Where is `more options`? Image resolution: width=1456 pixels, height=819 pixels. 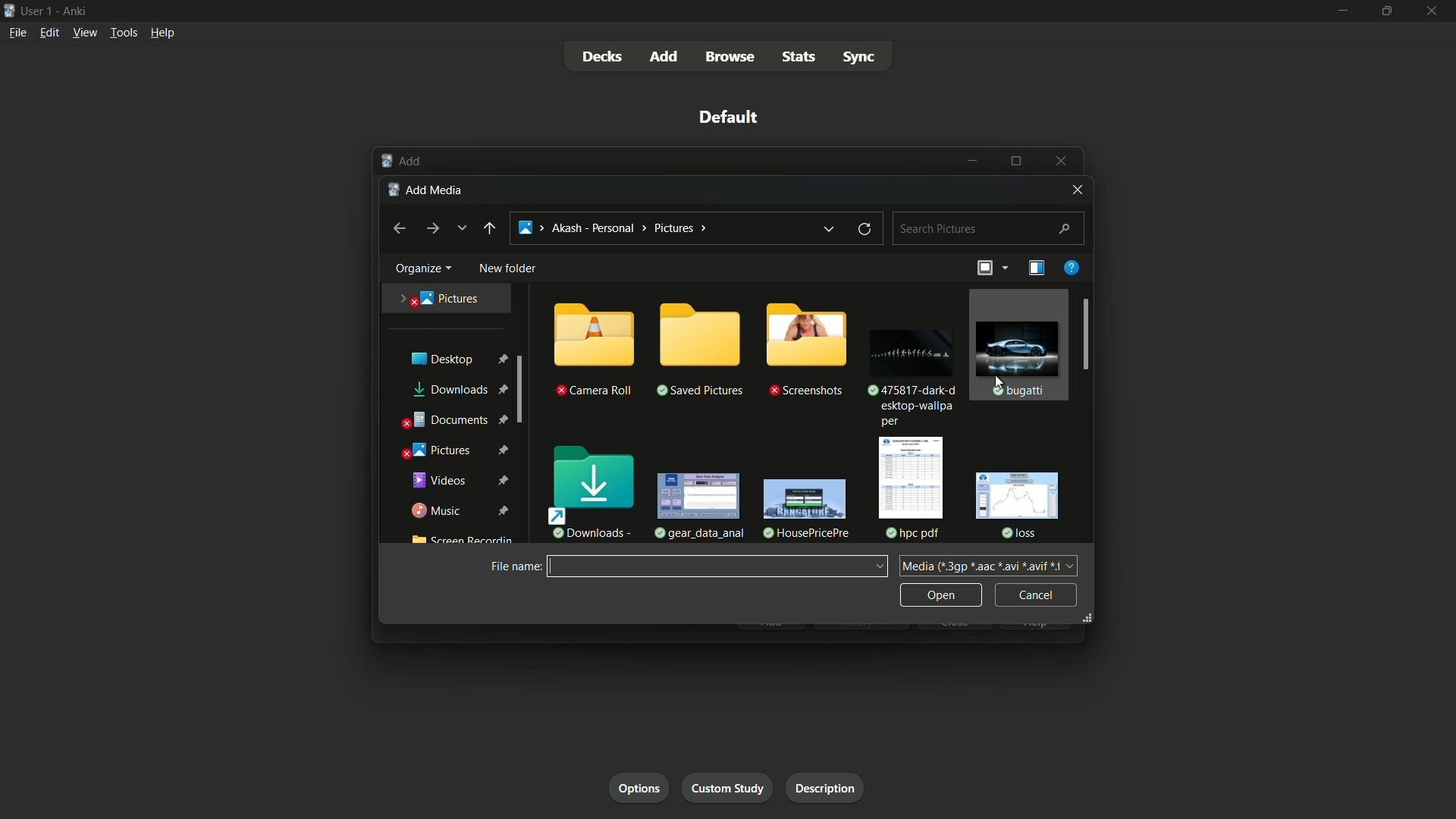 more options is located at coordinates (1005, 268).